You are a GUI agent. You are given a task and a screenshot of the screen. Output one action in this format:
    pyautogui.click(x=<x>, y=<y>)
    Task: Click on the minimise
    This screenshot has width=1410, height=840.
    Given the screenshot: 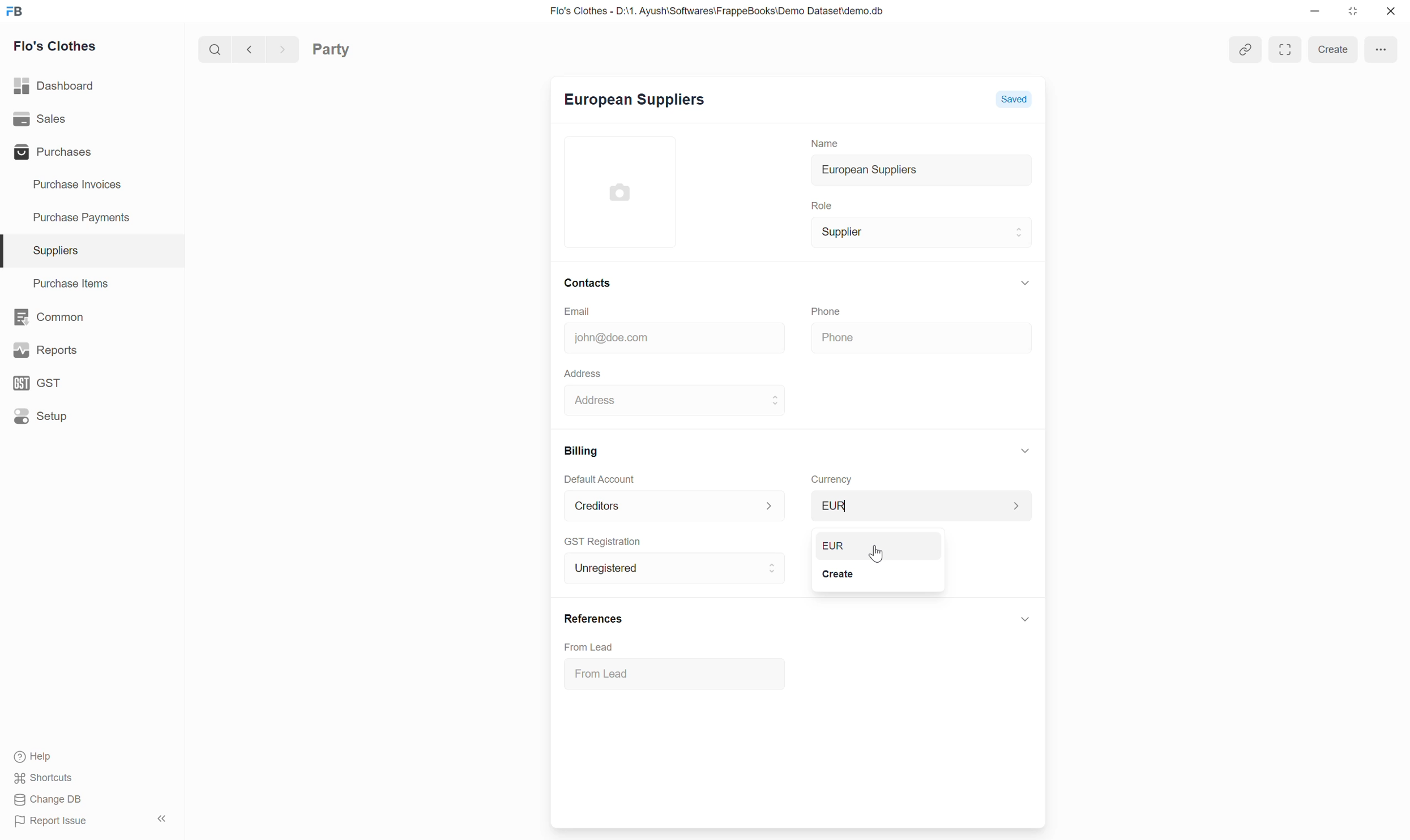 What is the action you would take?
    pyautogui.click(x=1312, y=11)
    